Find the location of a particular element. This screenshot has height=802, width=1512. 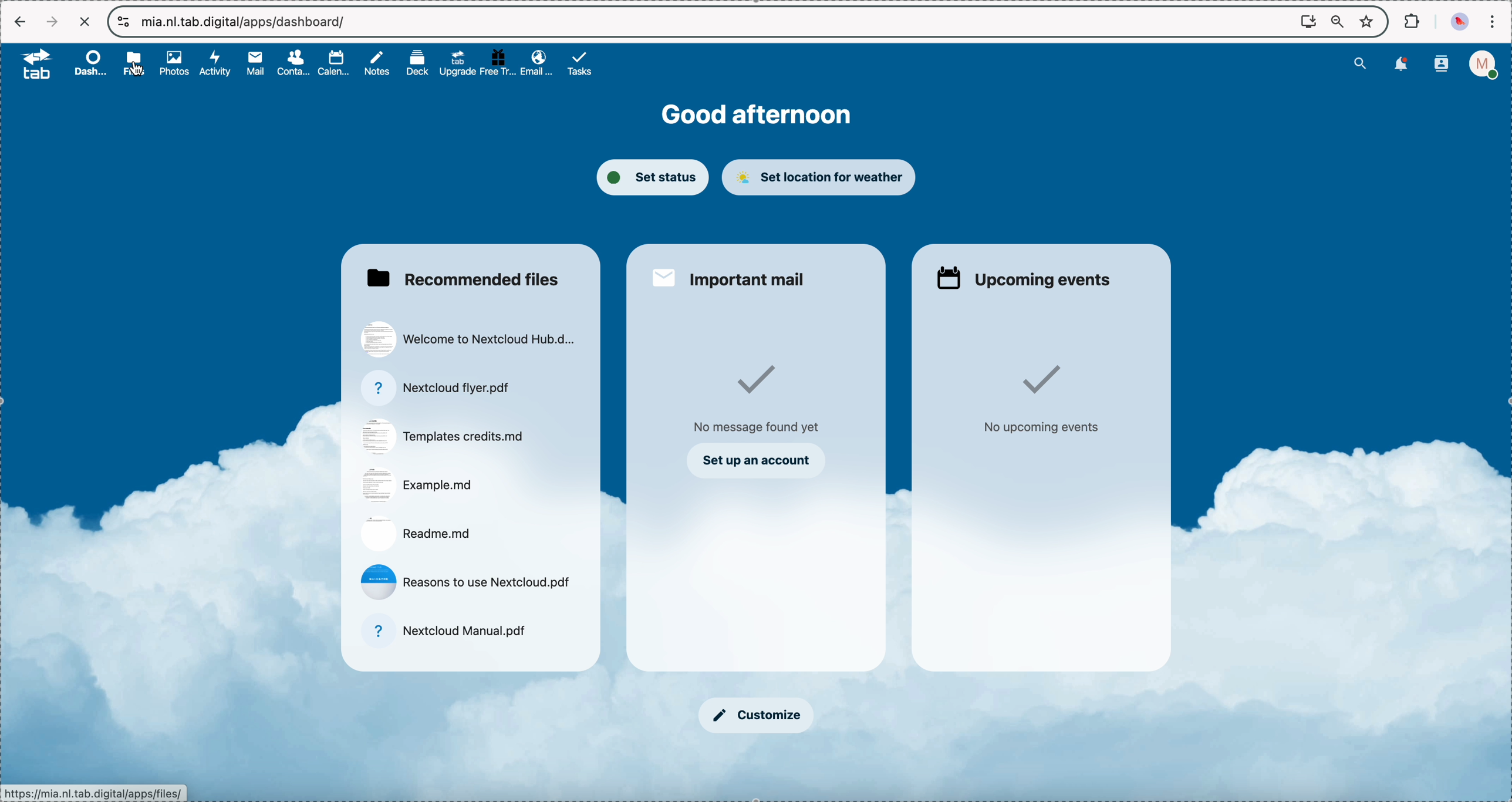

cancel is located at coordinates (84, 22).